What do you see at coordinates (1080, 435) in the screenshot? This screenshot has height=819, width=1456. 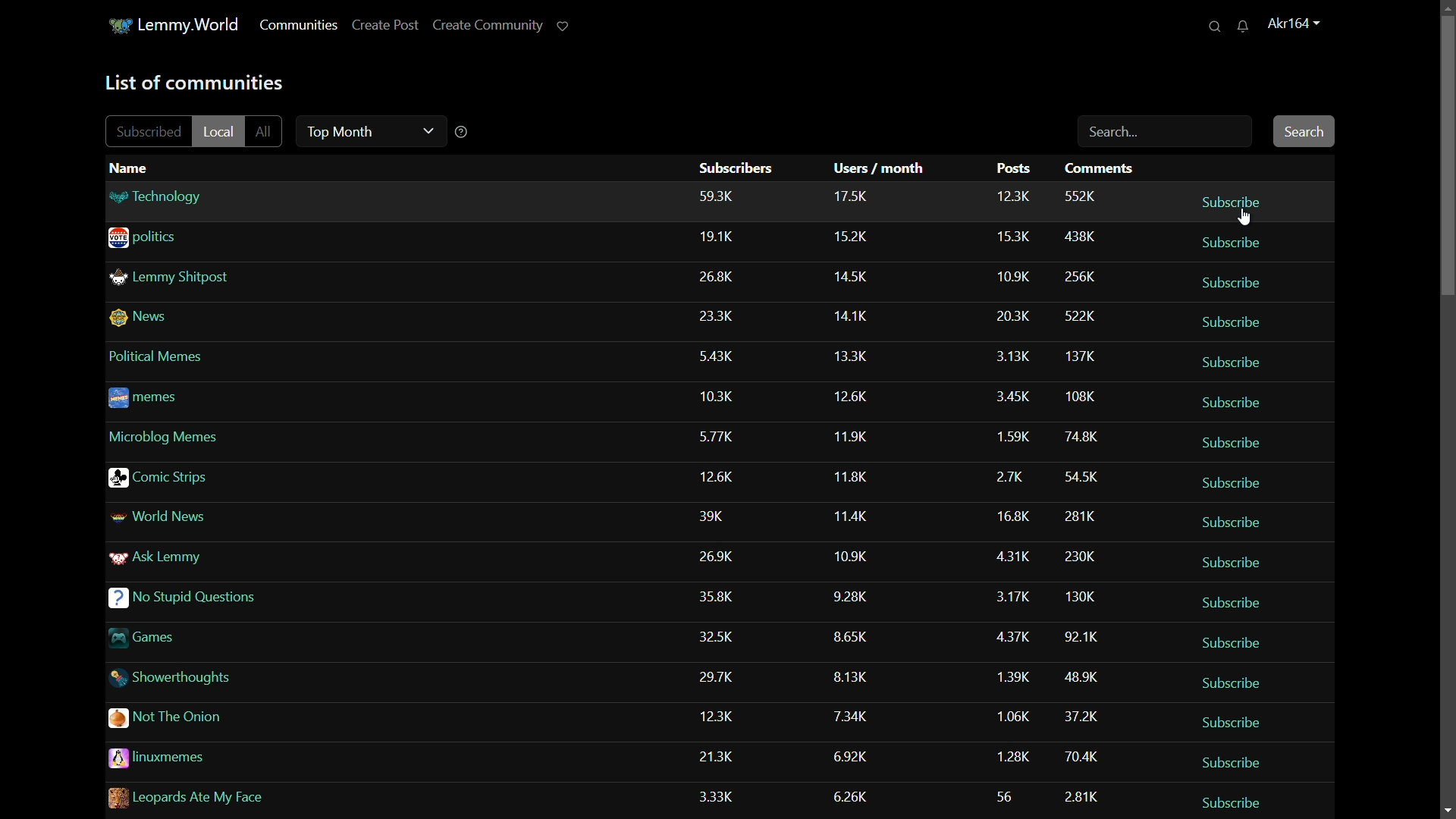 I see `comments` at bounding box center [1080, 435].